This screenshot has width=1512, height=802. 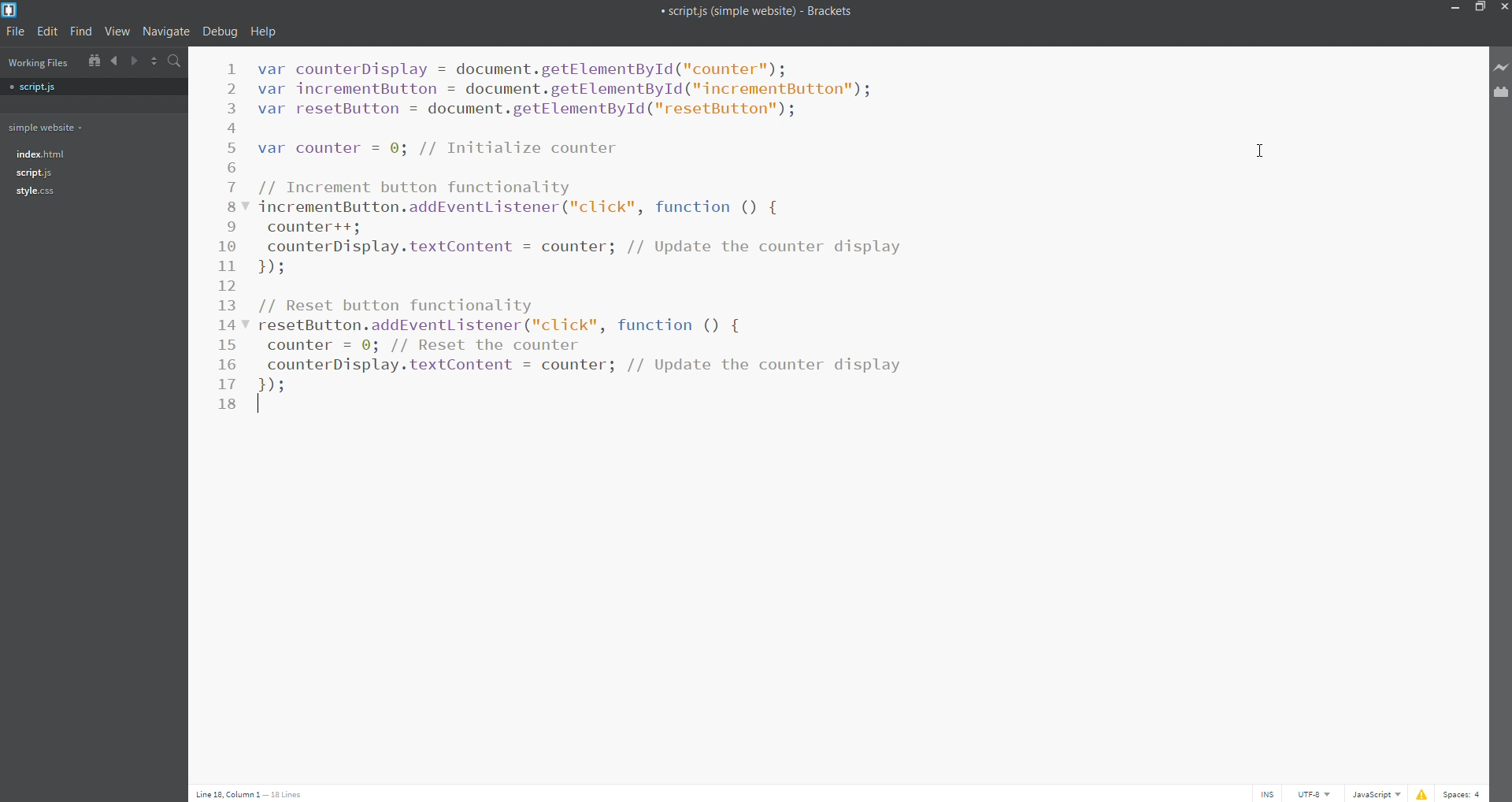 I want to click on cursor, so click(x=1260, y=148).